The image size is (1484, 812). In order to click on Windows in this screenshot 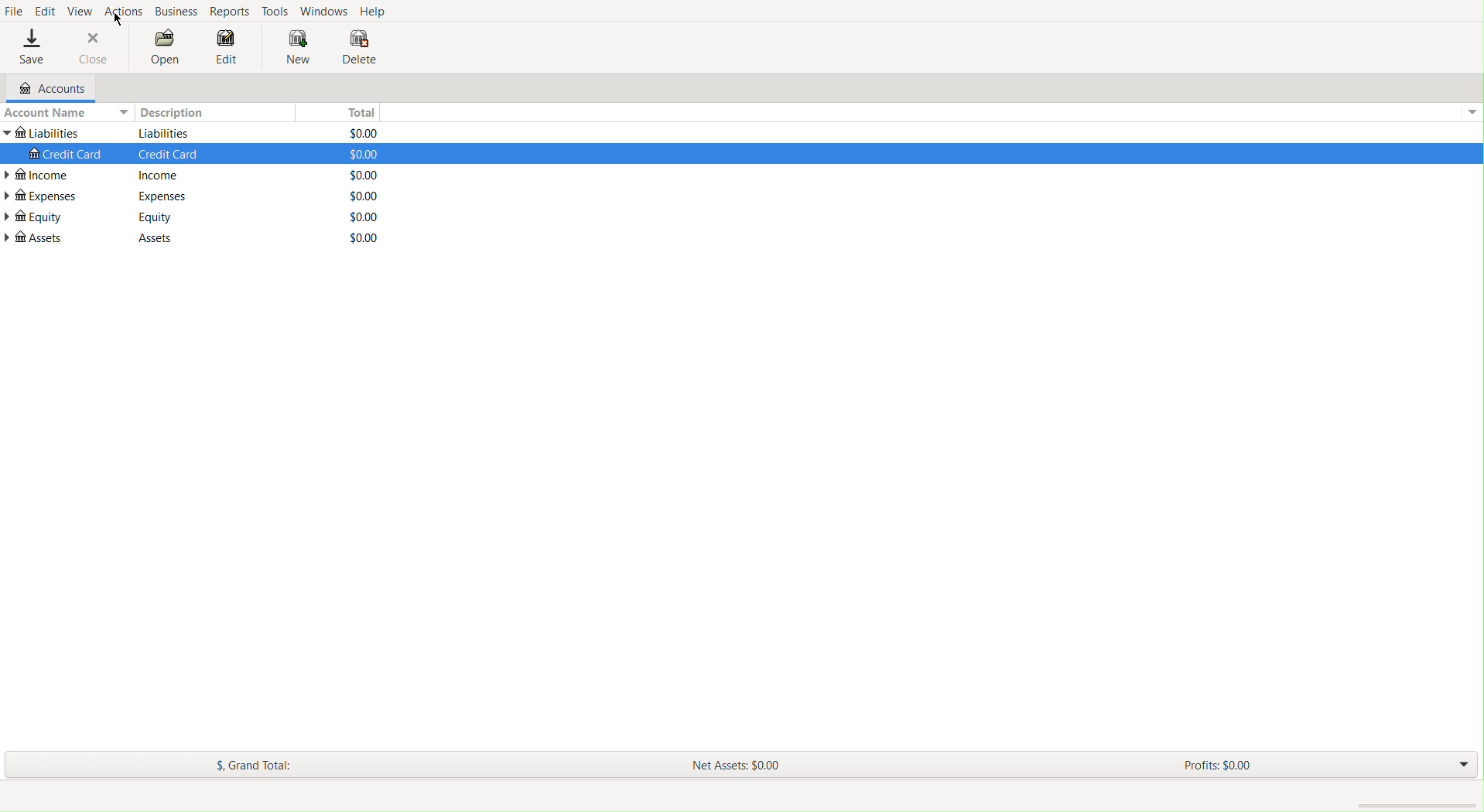, I will do `click(326, 11)`.